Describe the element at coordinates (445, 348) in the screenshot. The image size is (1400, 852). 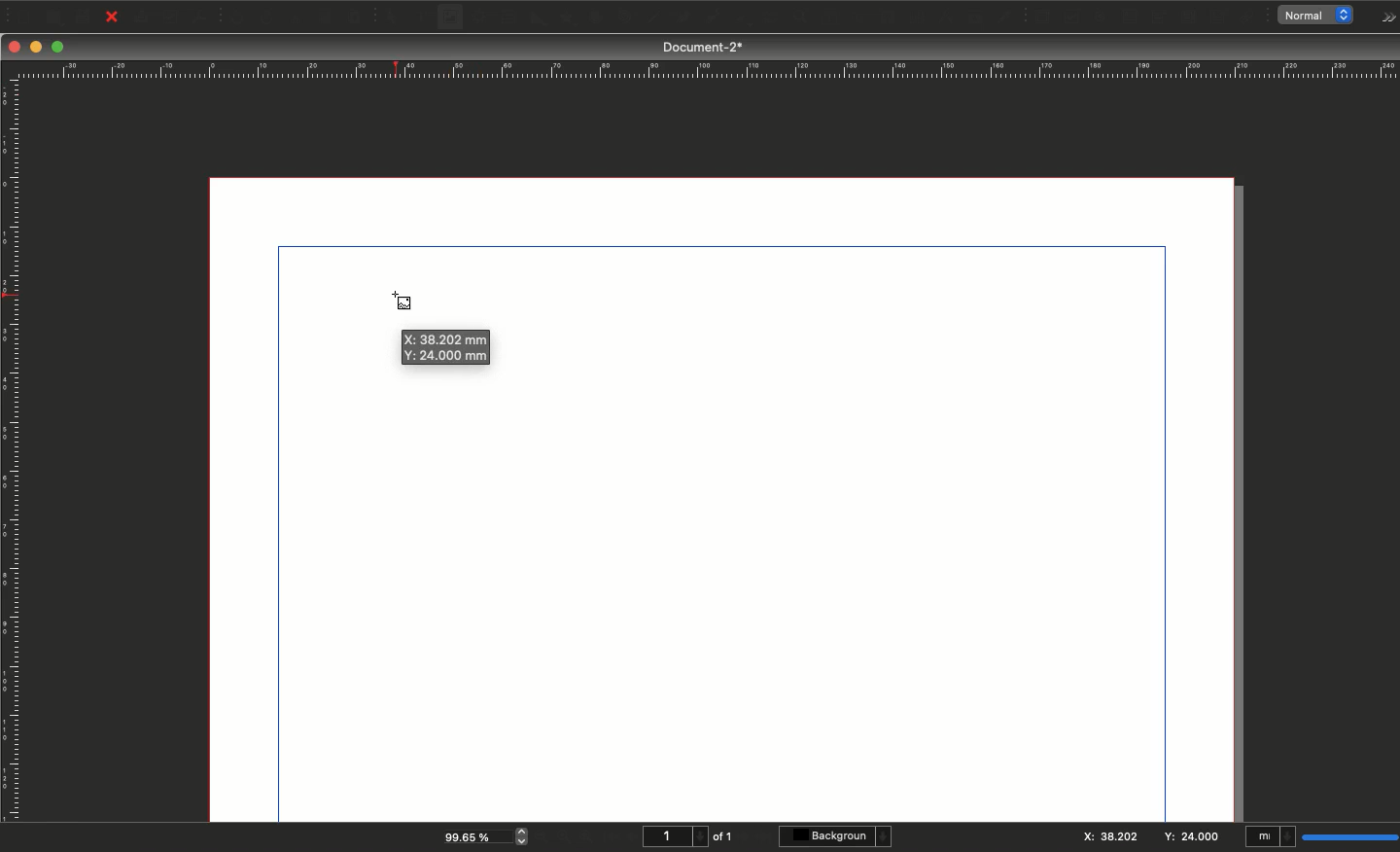
I see `X: 38.202 mm Y: 24.000 mm` at that location.